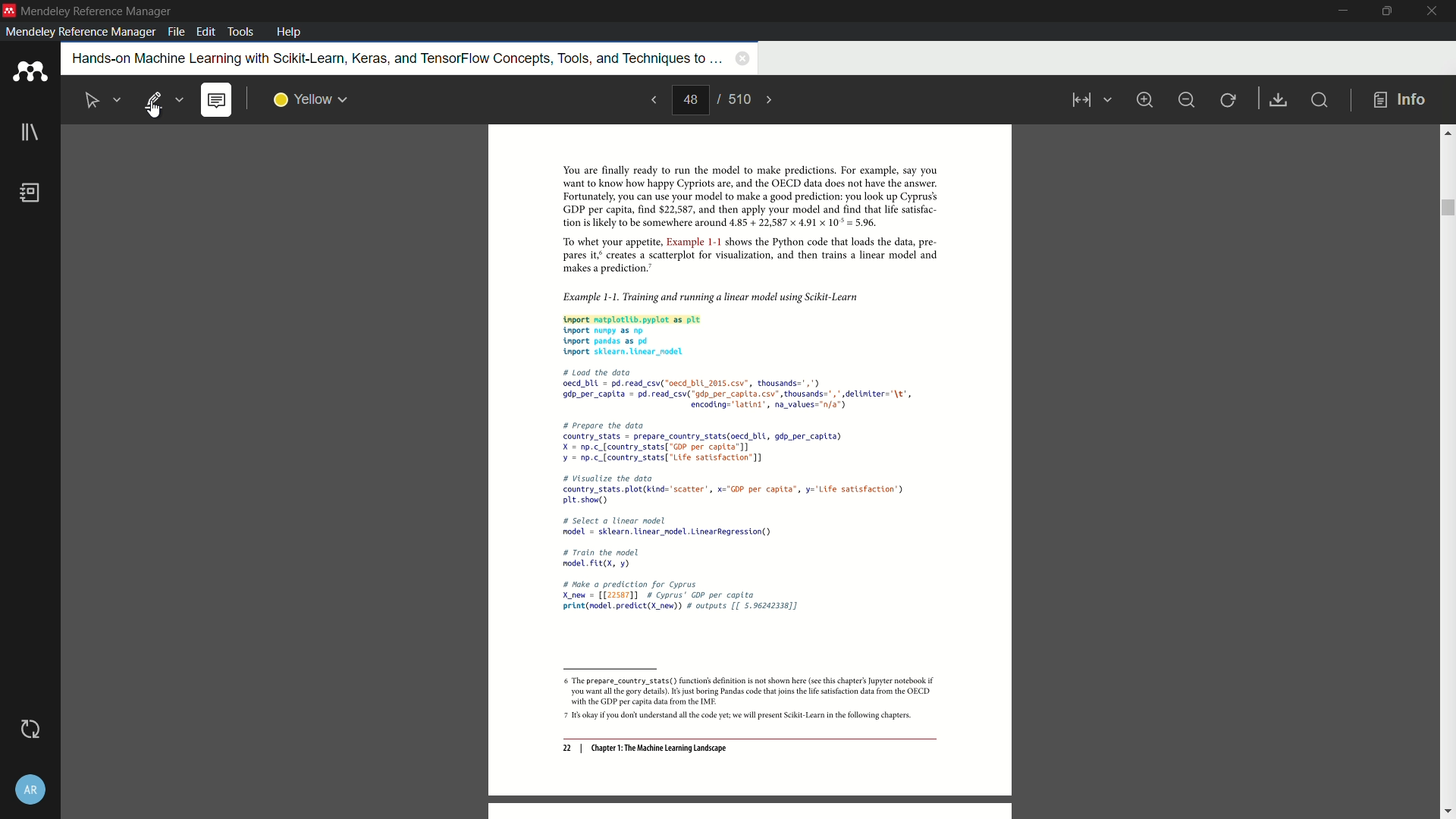 The height and width of the screenshot is (819, 1456). What do you see at coordinates (215, 101) in the screenshot?
I see `add note` at bounding box center [215, 101].